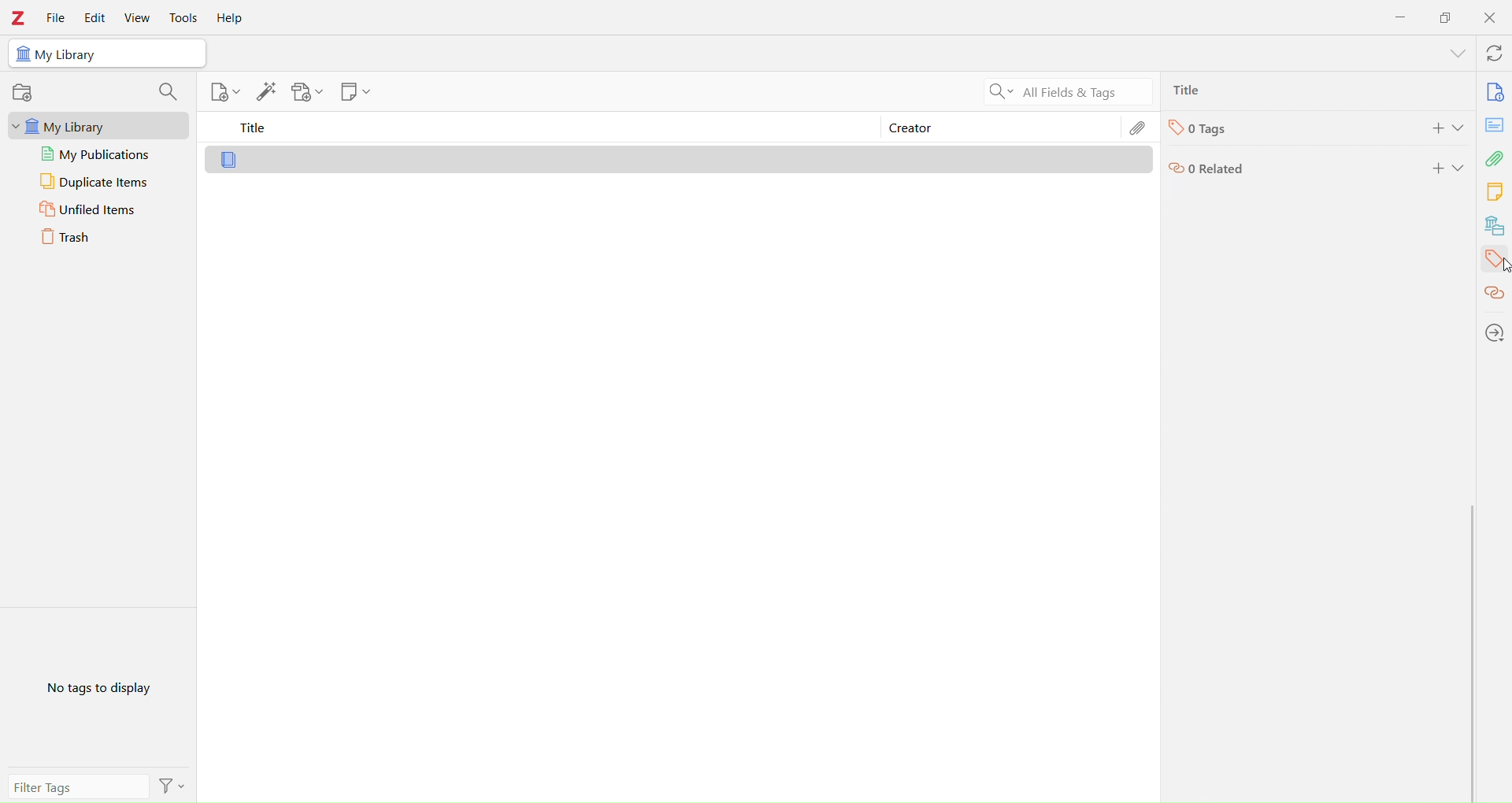 Image resolution: width=1512 pixels, height=803 pixels. Describe the element at coordinates (1462, 132) in the screenshot. I see `Expand section` at that location.